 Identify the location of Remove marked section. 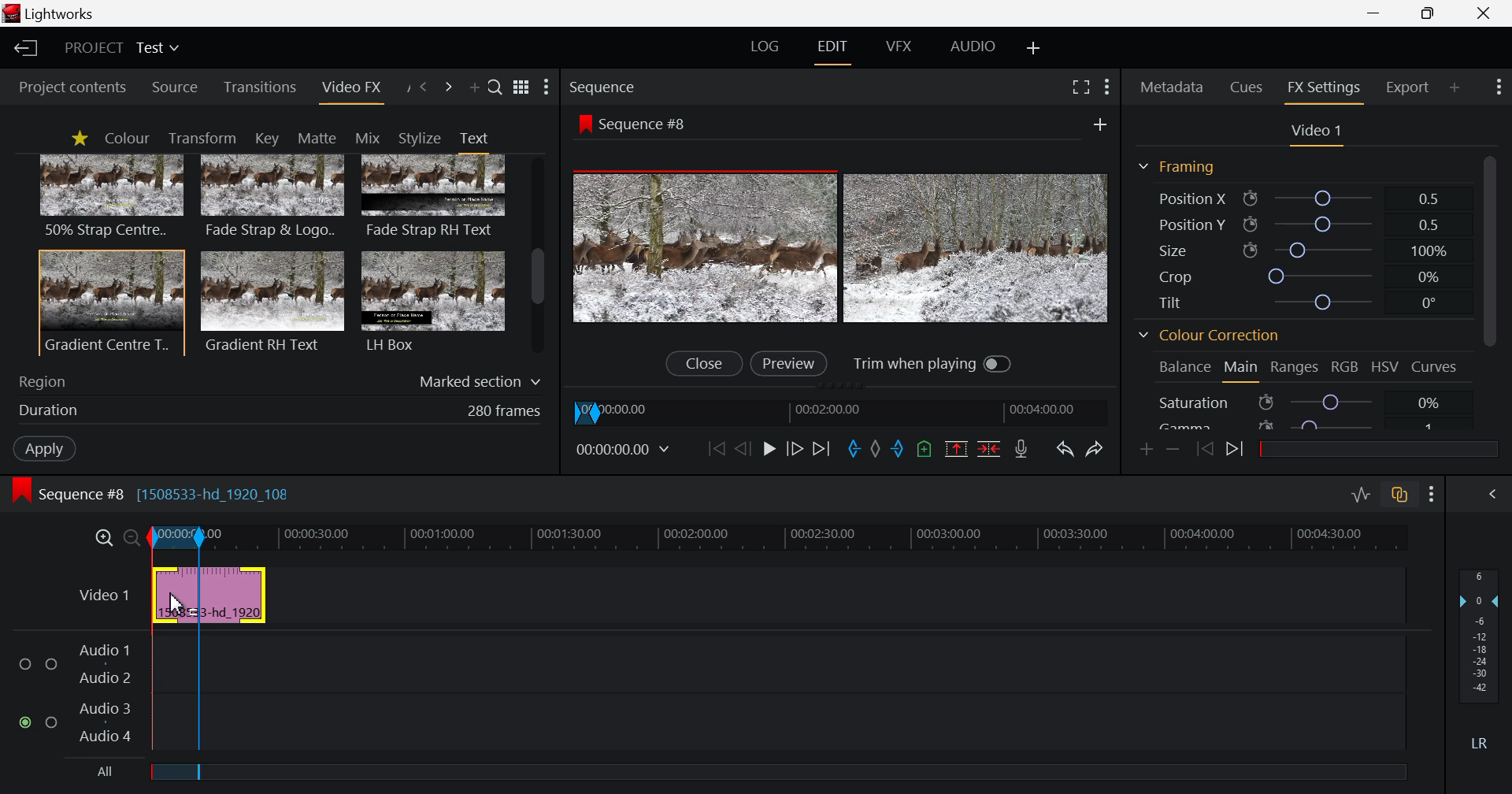
(956, 448).